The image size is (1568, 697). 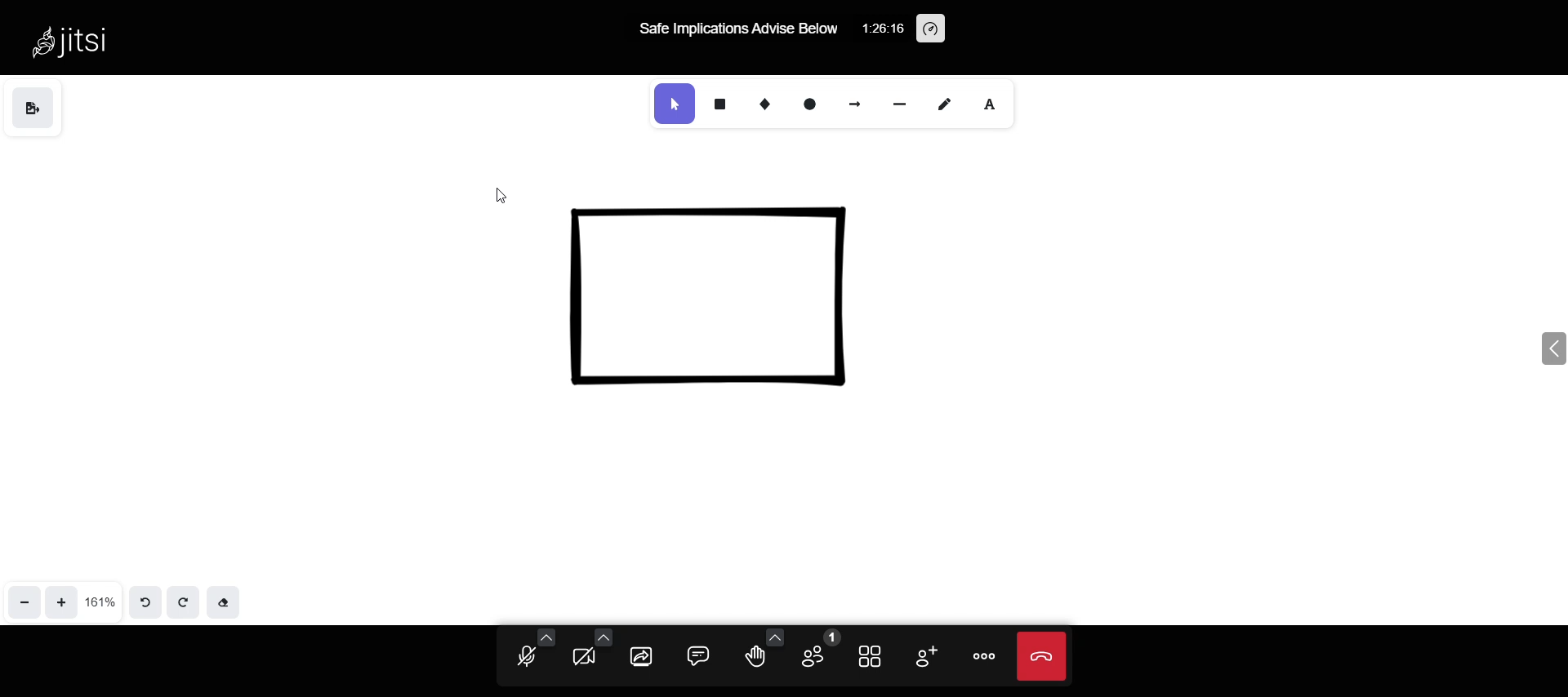 What do you see at coordinates (853, 104) in the screenshot?
I see `arraw` at bounding box center [853, 104].